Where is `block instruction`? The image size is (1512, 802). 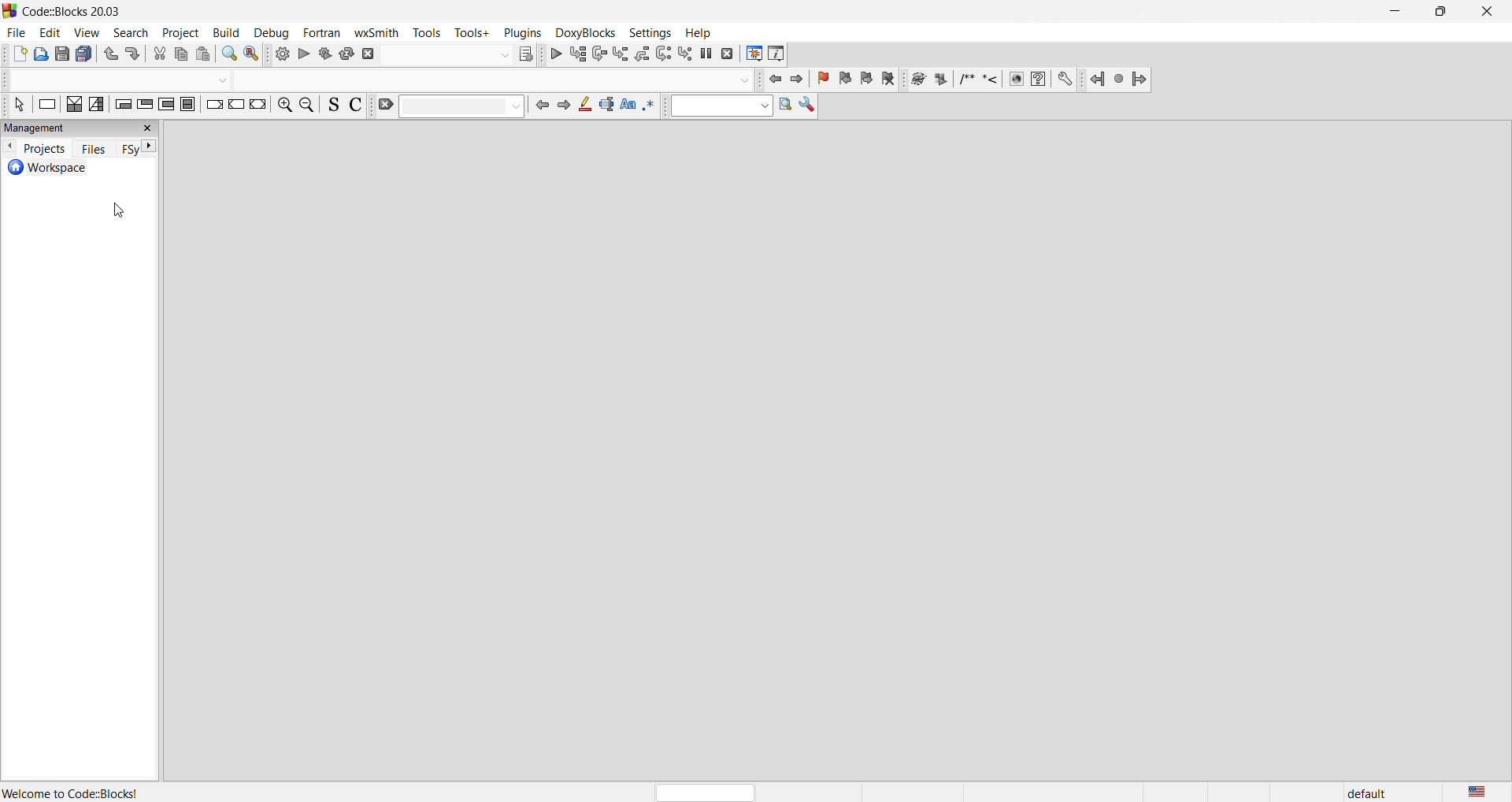 block instruction is located at coordinates (189, 104).